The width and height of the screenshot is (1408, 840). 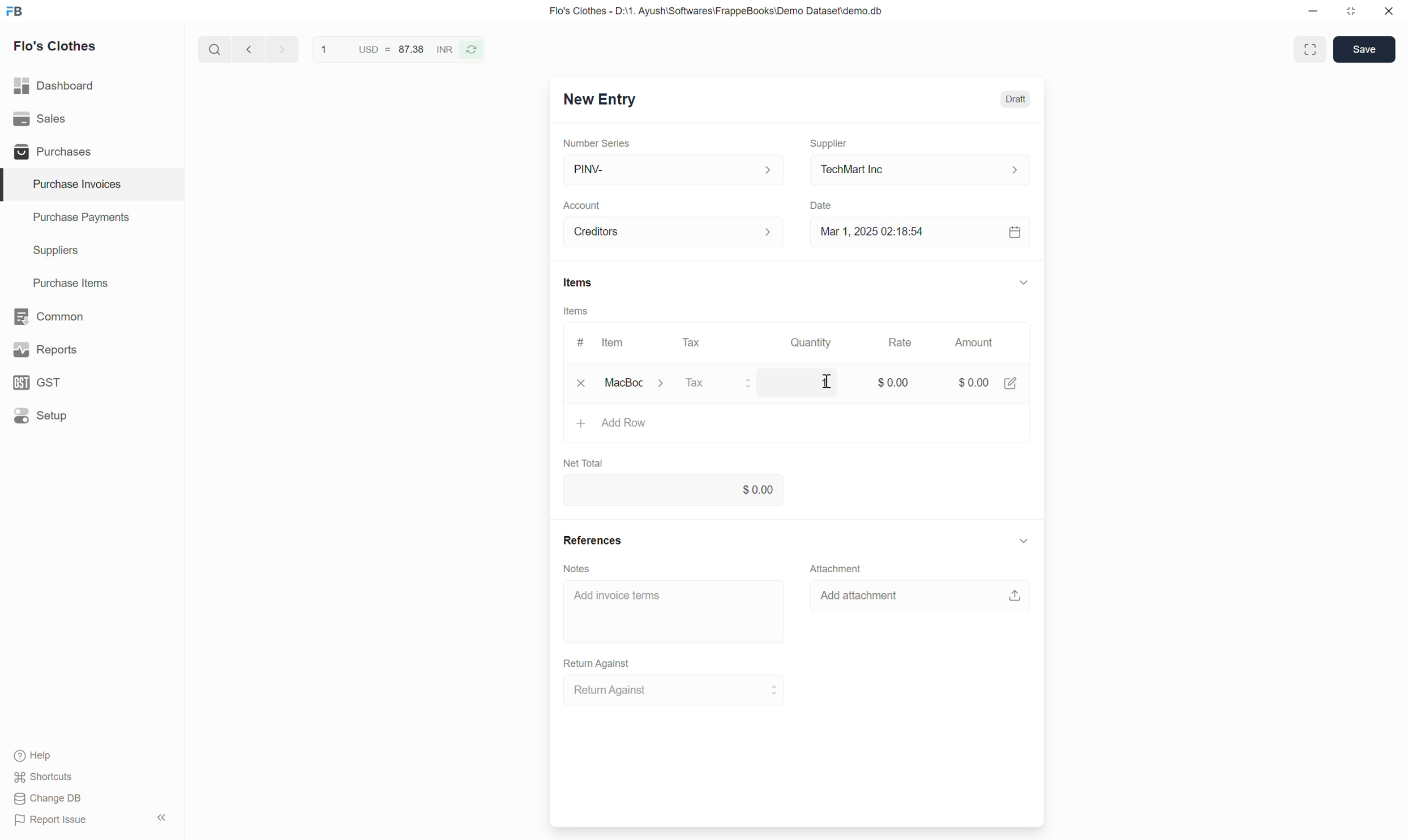 What do you see at coordinates (675, 232) in the screenshot?
I see `Creditors` at bounding box center [675, 232].